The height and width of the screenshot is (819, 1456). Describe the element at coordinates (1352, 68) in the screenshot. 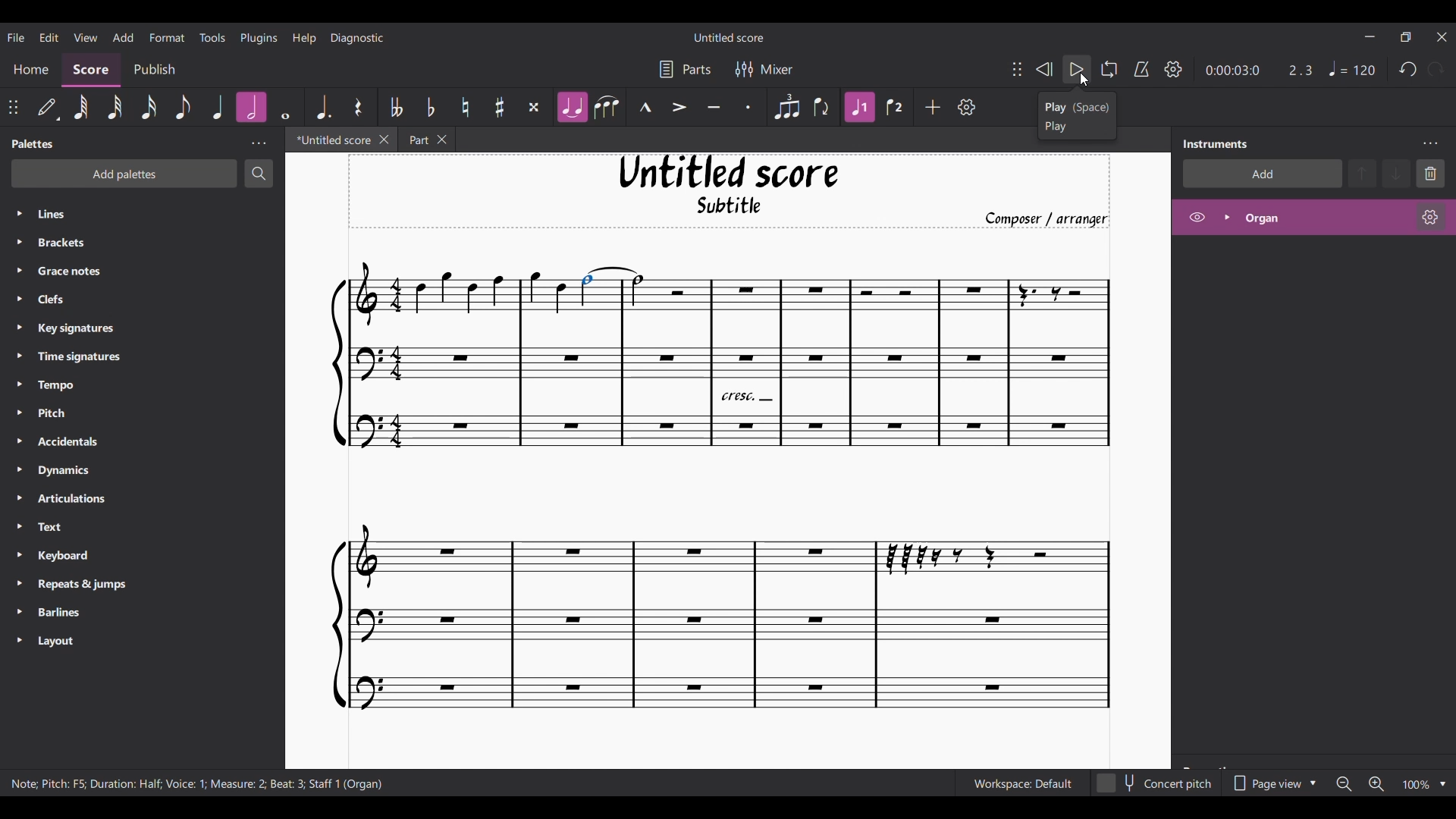

I see `Tempo` at that location.